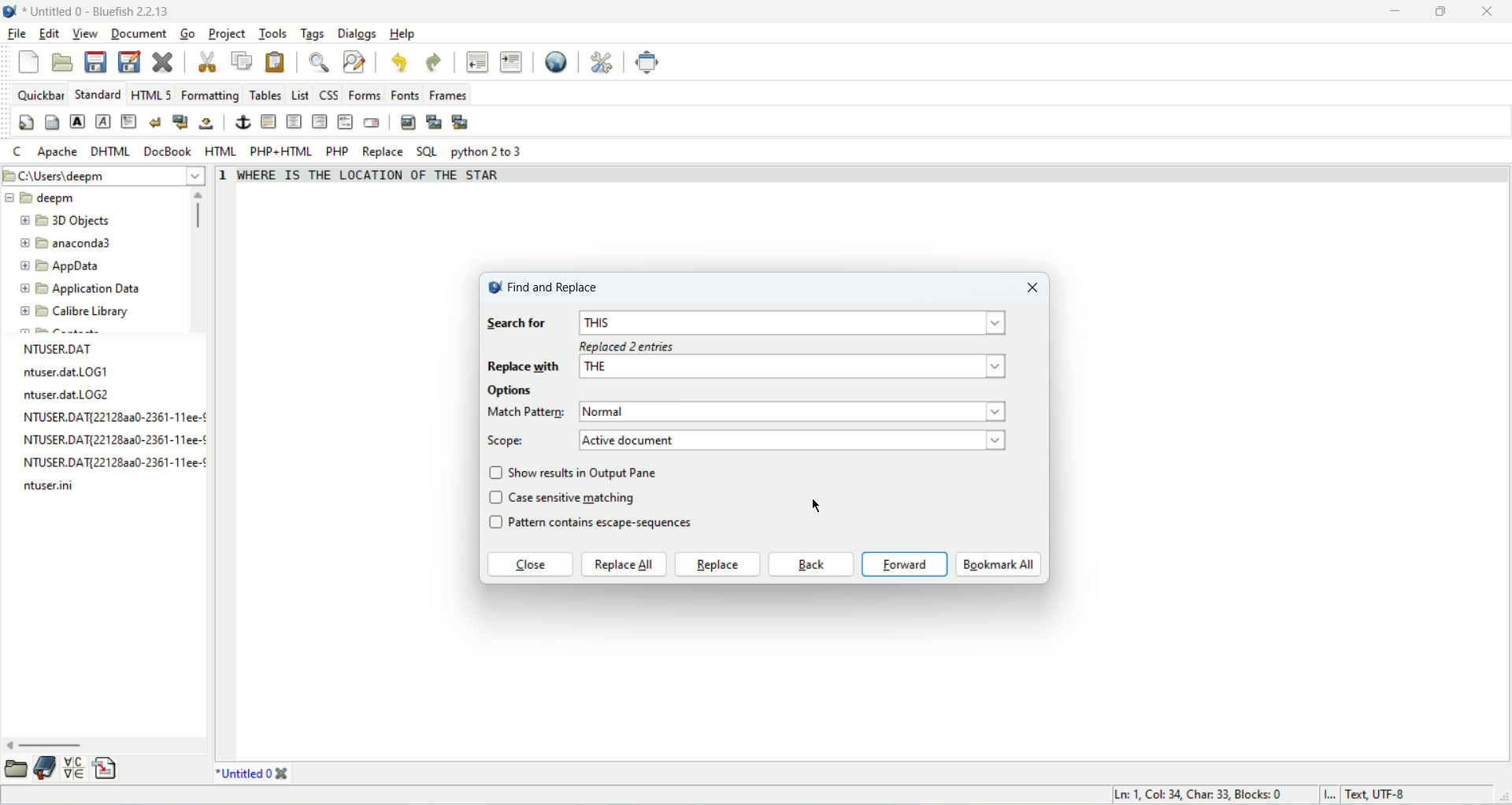  Describe the element at coordinates (98, 10) in the screenshot. I see `Untitled 0 - Bluefish 2.2.13` at that location.